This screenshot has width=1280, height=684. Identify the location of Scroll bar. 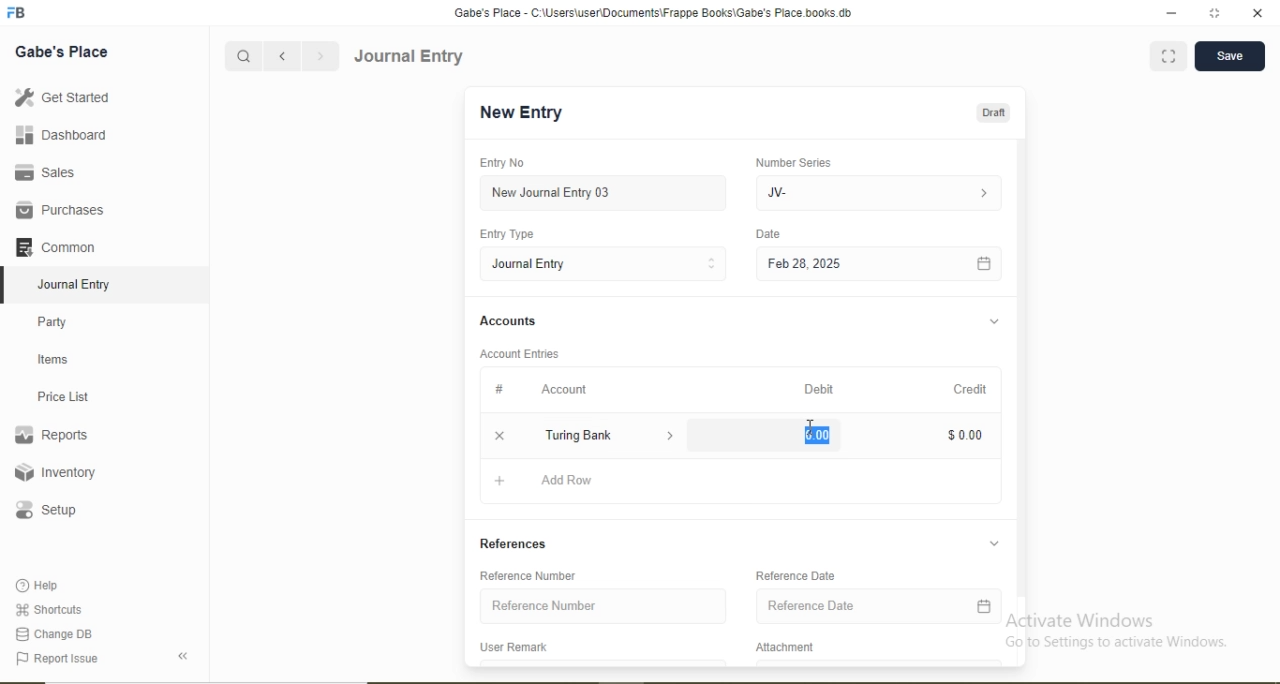
(1021, 386).